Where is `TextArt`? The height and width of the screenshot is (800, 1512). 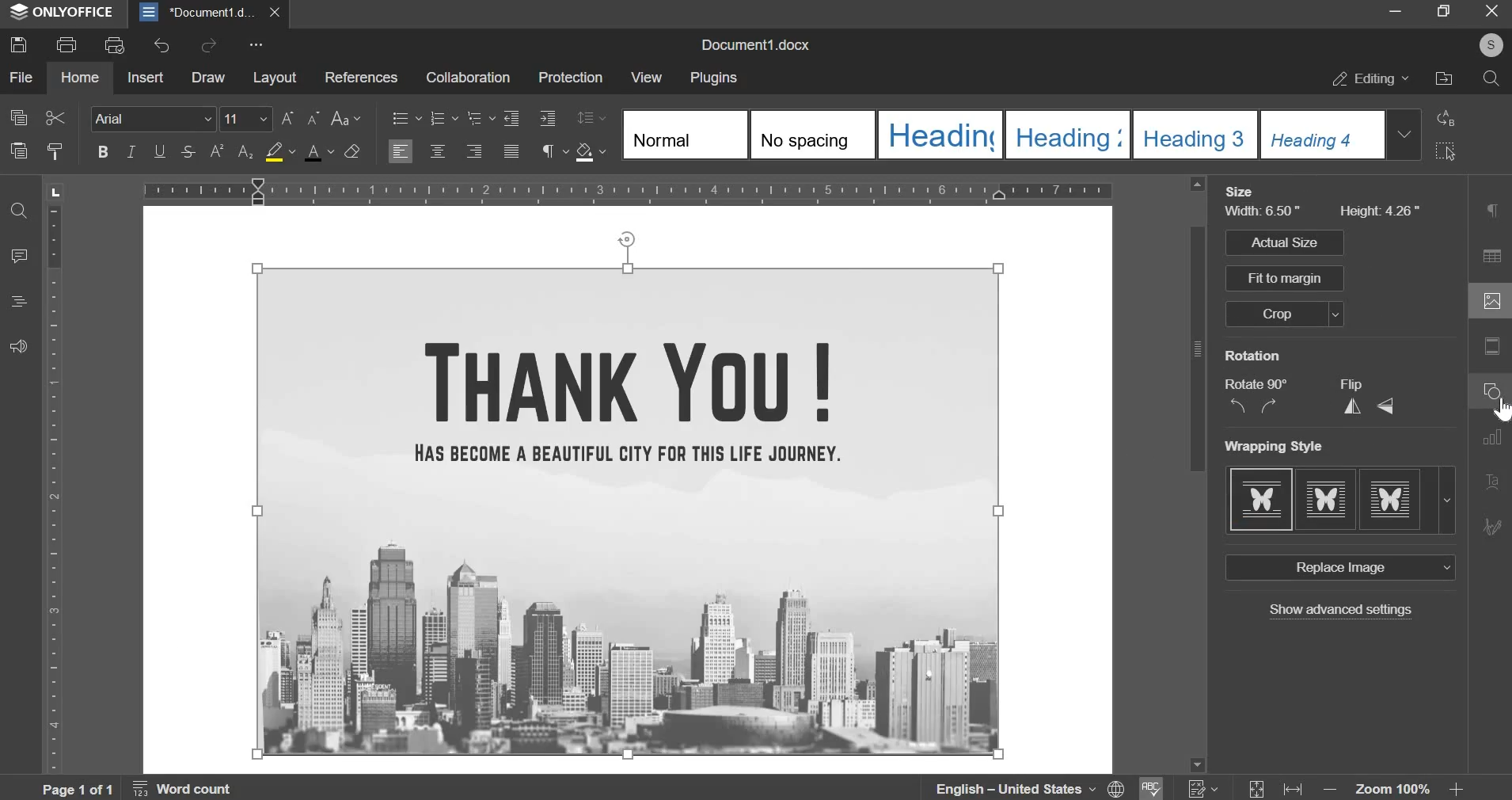
TextArt is located at coordinates (1495, 481).